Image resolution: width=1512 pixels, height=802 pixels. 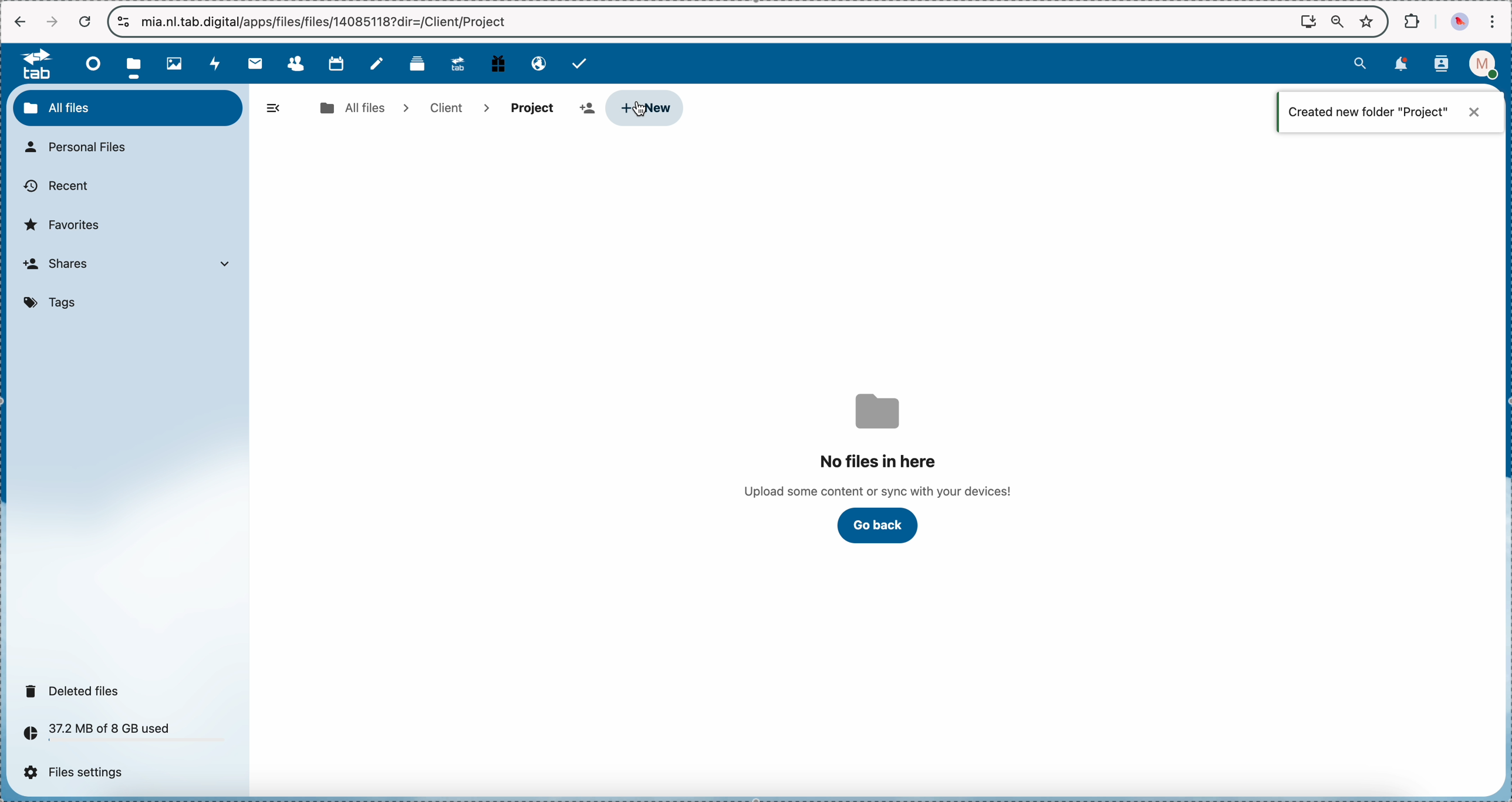 What do you see at coordinates (902, 463) in the screenshot?
I see `no files here` at bounding box center [902, 463].